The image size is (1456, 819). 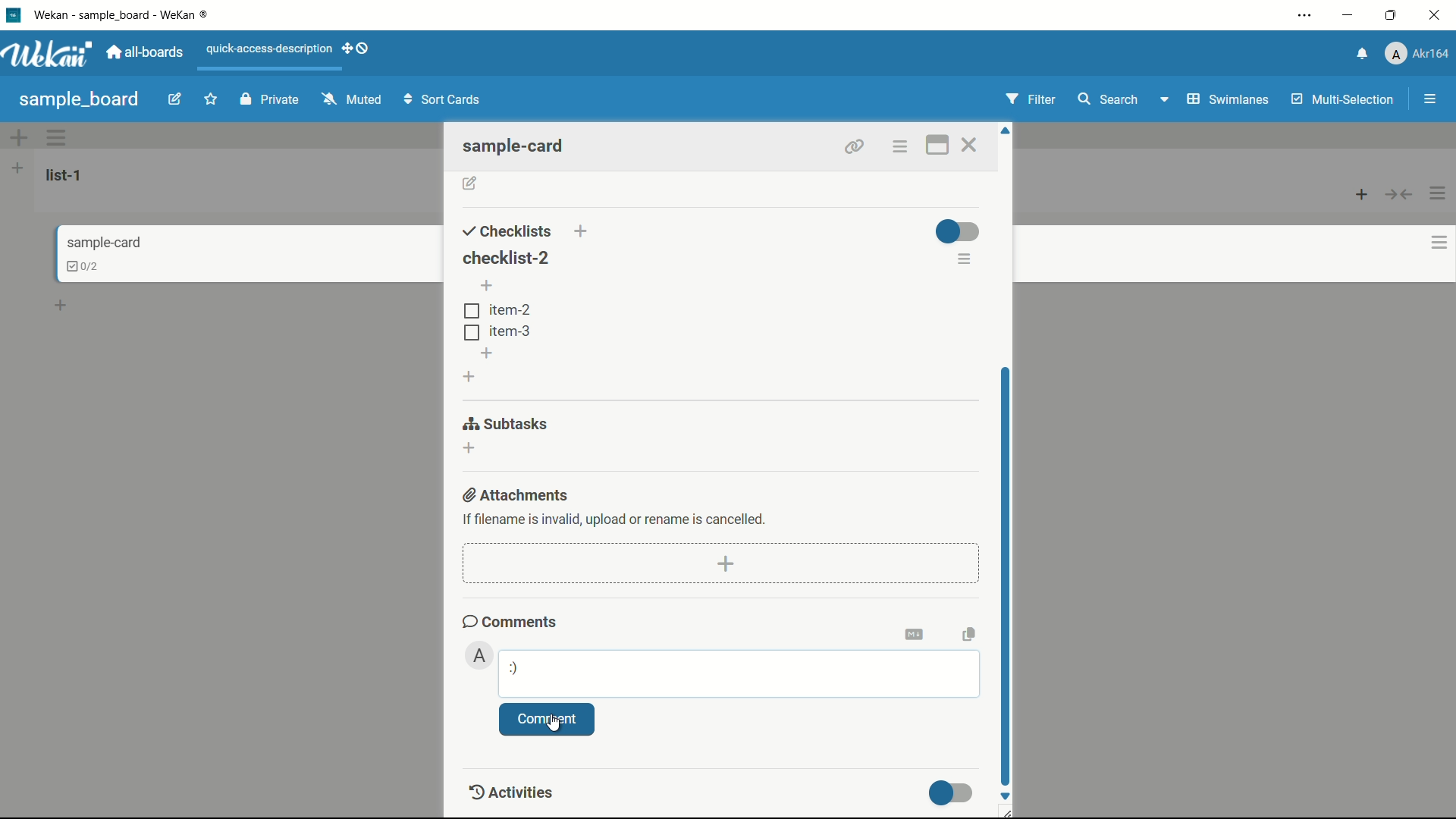 I want to click on :), so click(x=513, y=670).